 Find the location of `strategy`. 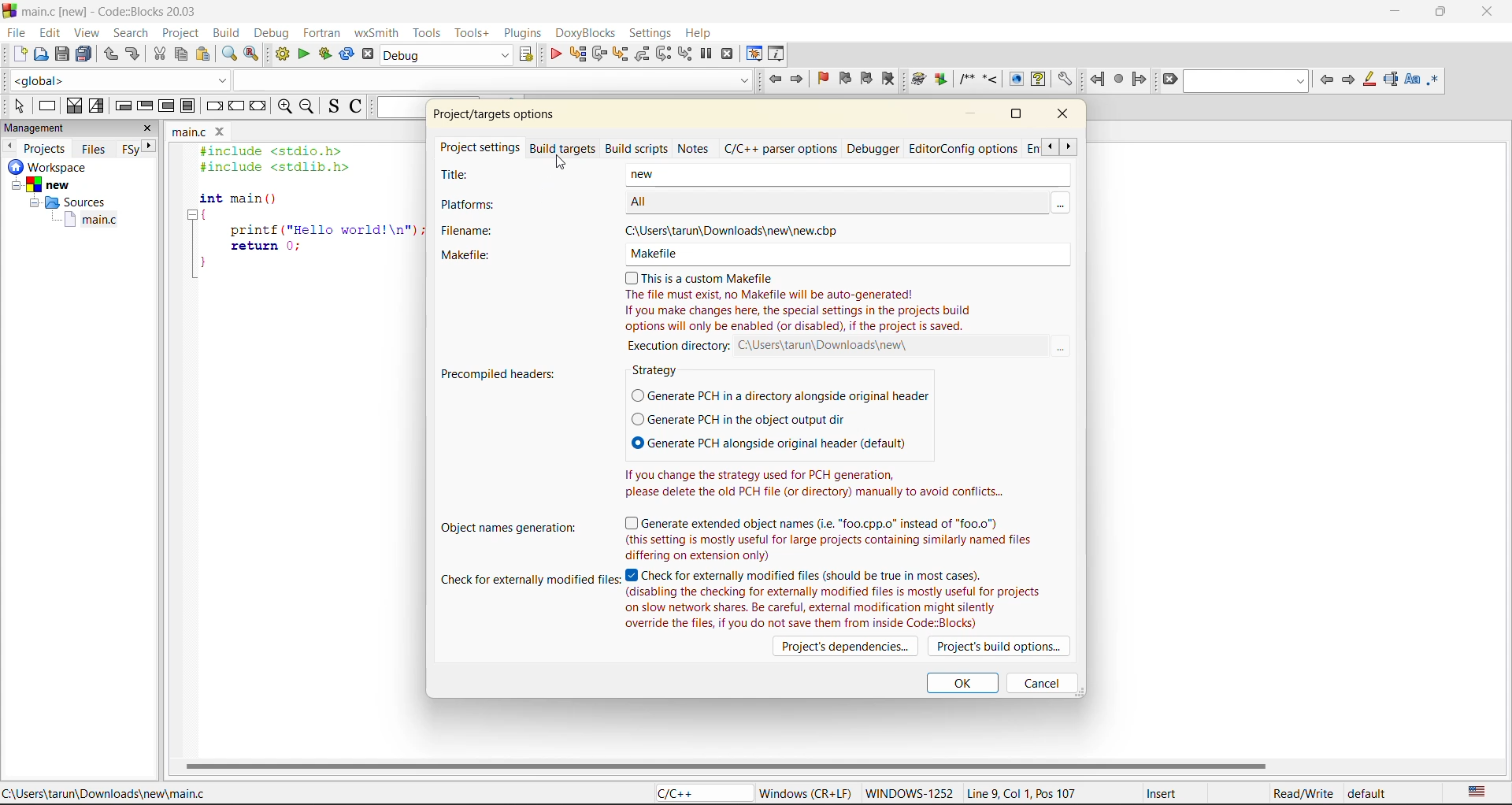

strategy is located at coordinates (659, 372).